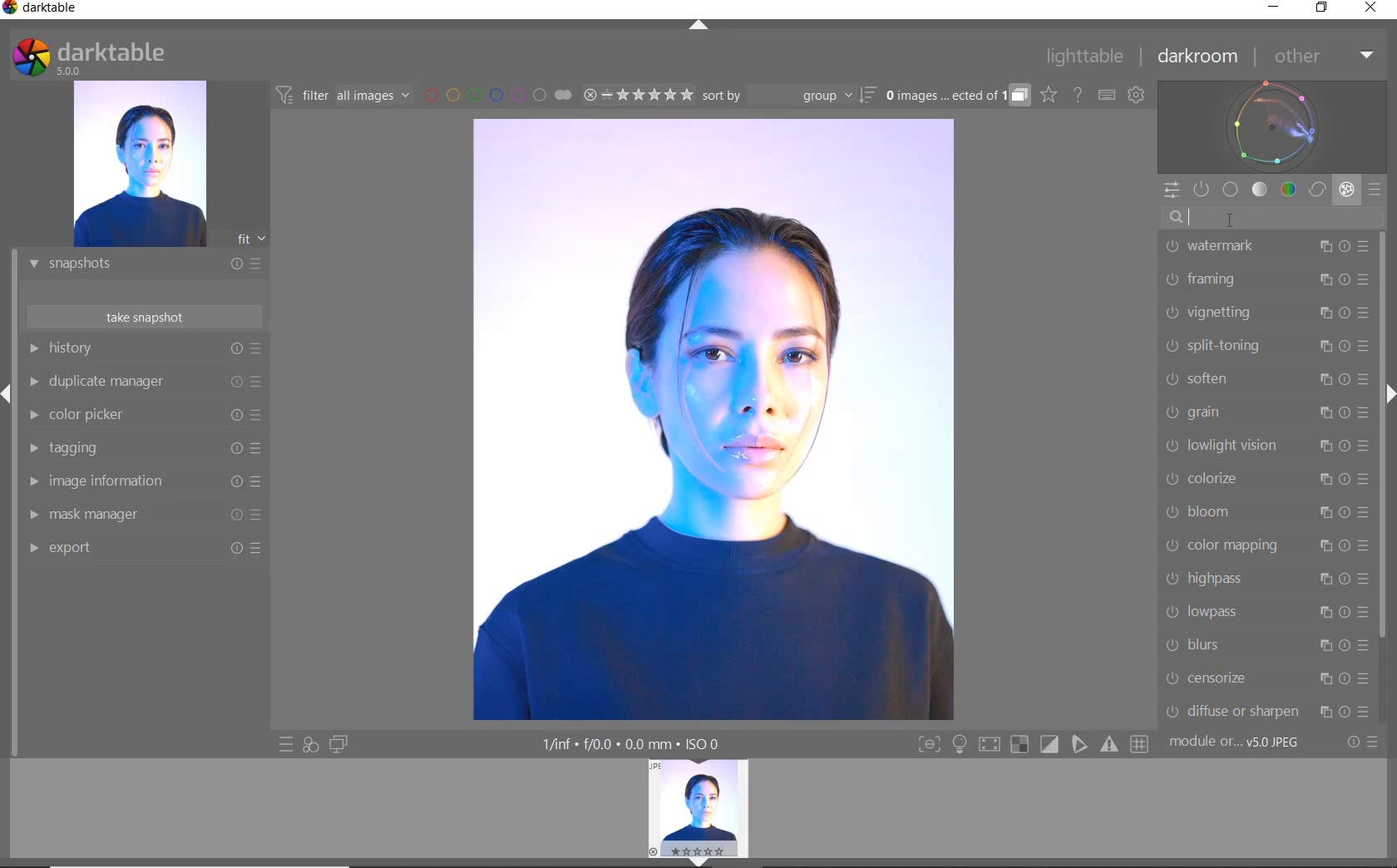  What do you see at coordinates (1325, 8) in the screenshot?
I see `RESTORE` at bounding box center [1325, 8].